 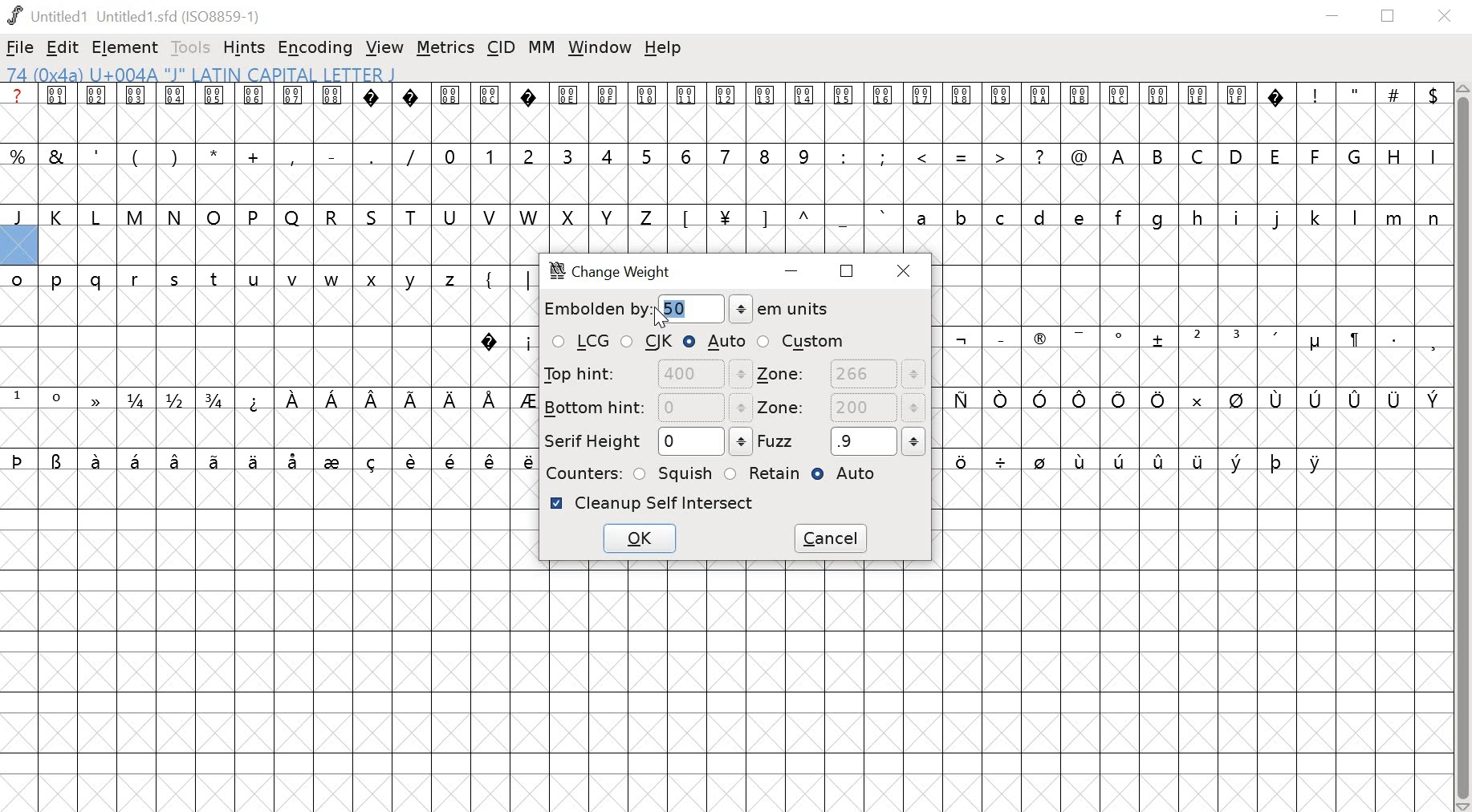 I want to click on symbols, so click(x=1197, y=340).